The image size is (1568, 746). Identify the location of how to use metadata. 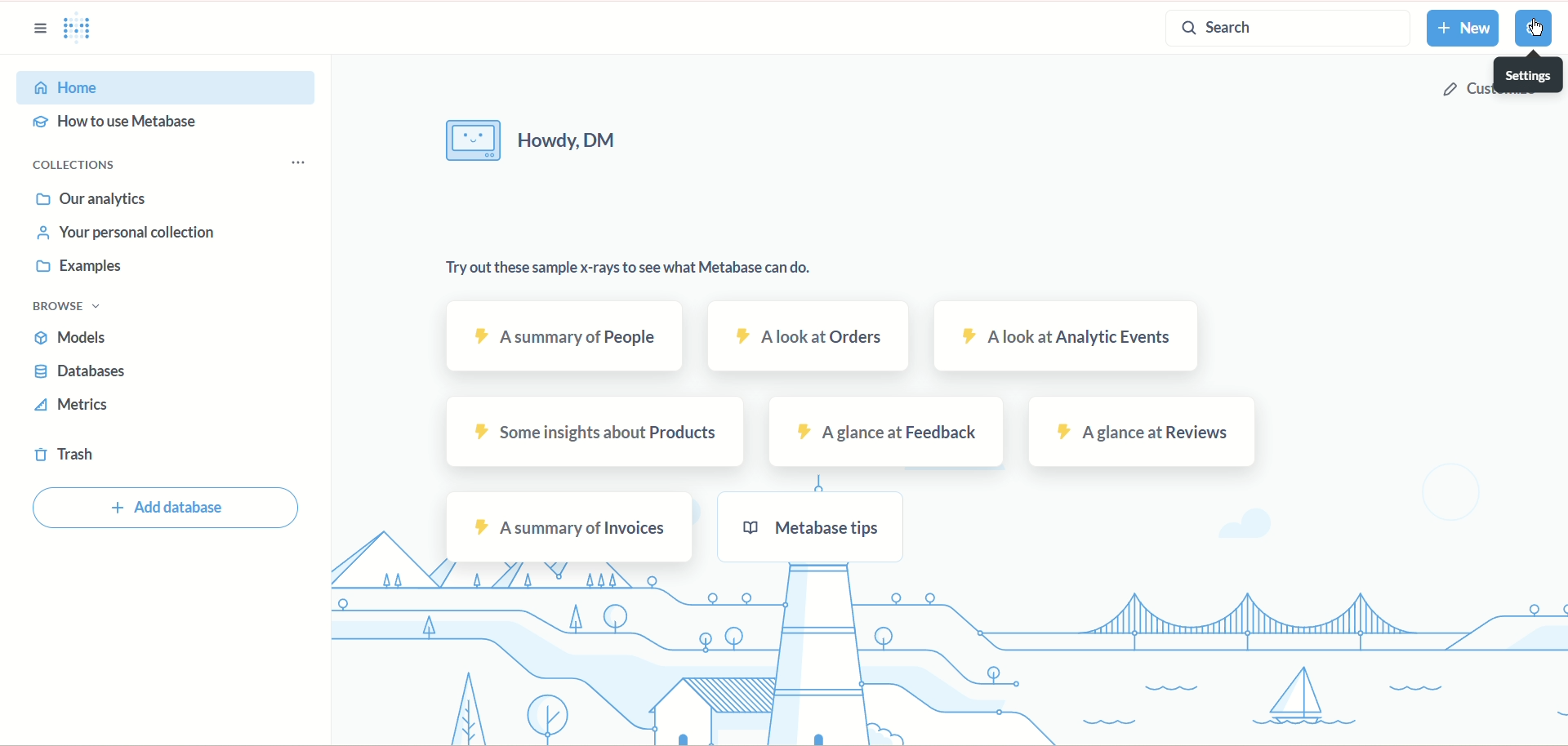
(118, 123).